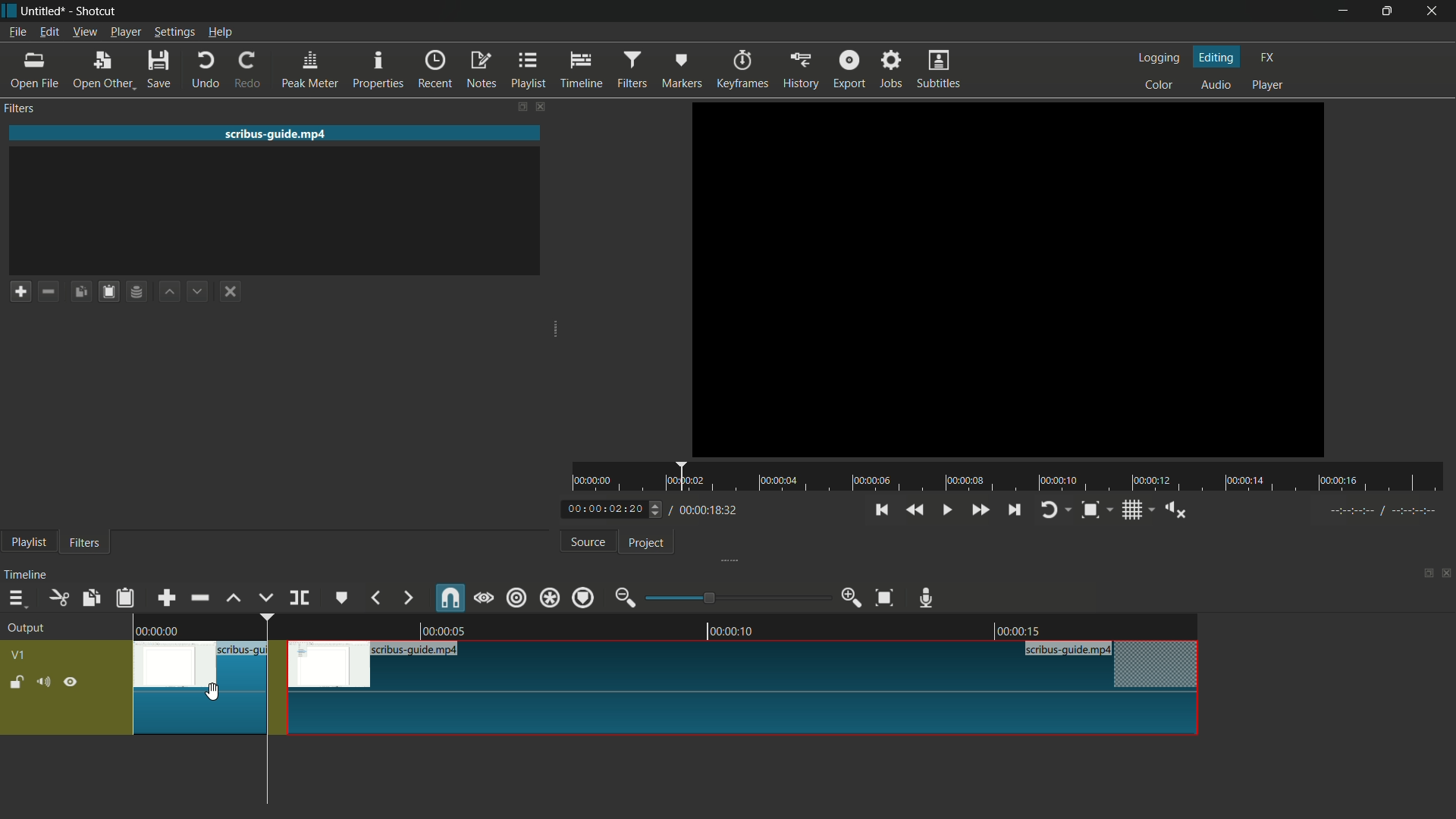 The image size is (1456, 819). Describe the element at coordinates (166, 598) in the screenshot. I see `append` at that location.